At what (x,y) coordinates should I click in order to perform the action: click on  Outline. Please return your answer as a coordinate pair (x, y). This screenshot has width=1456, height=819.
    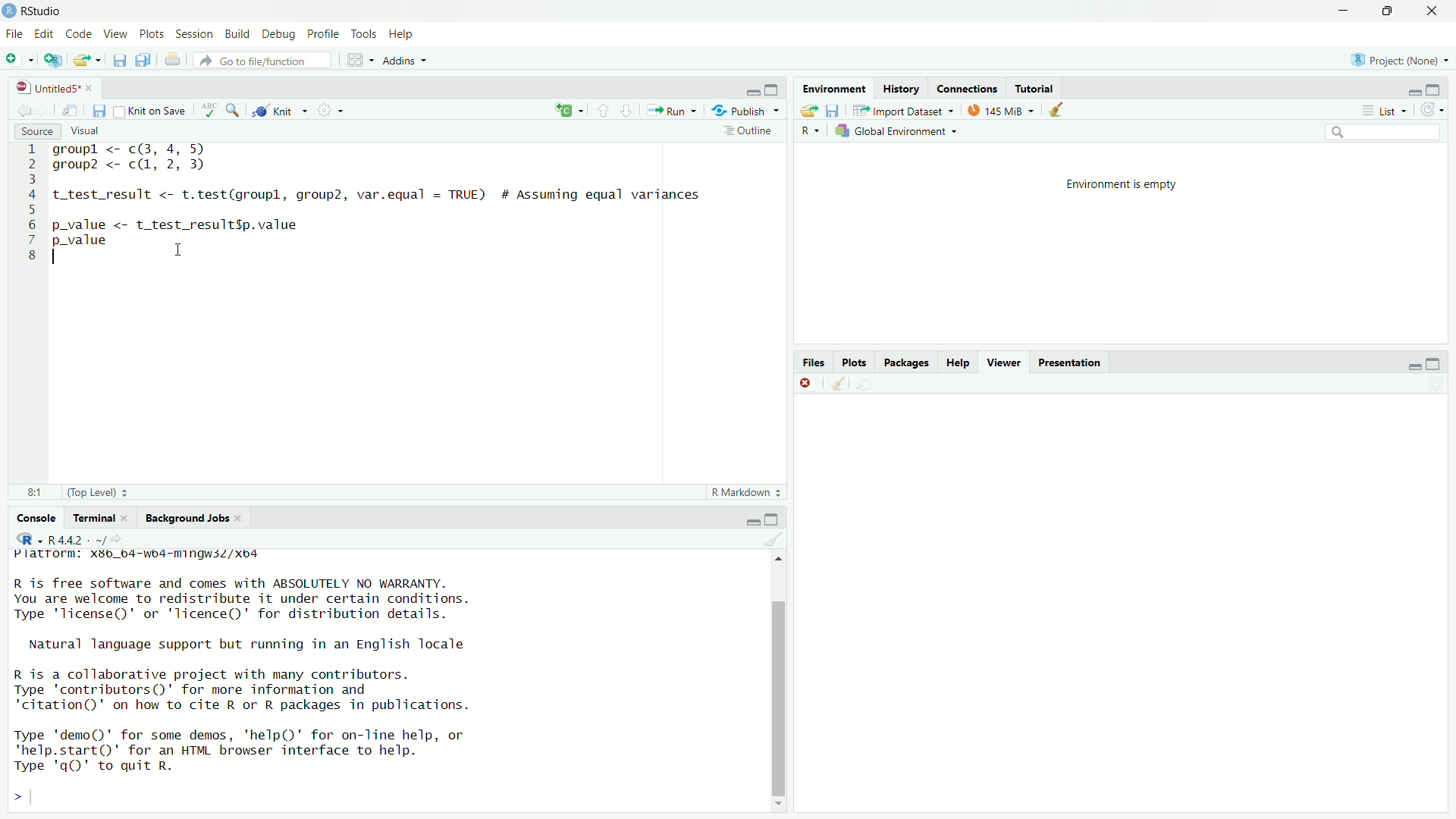
    Looking at the image, I should click on (747, 130).